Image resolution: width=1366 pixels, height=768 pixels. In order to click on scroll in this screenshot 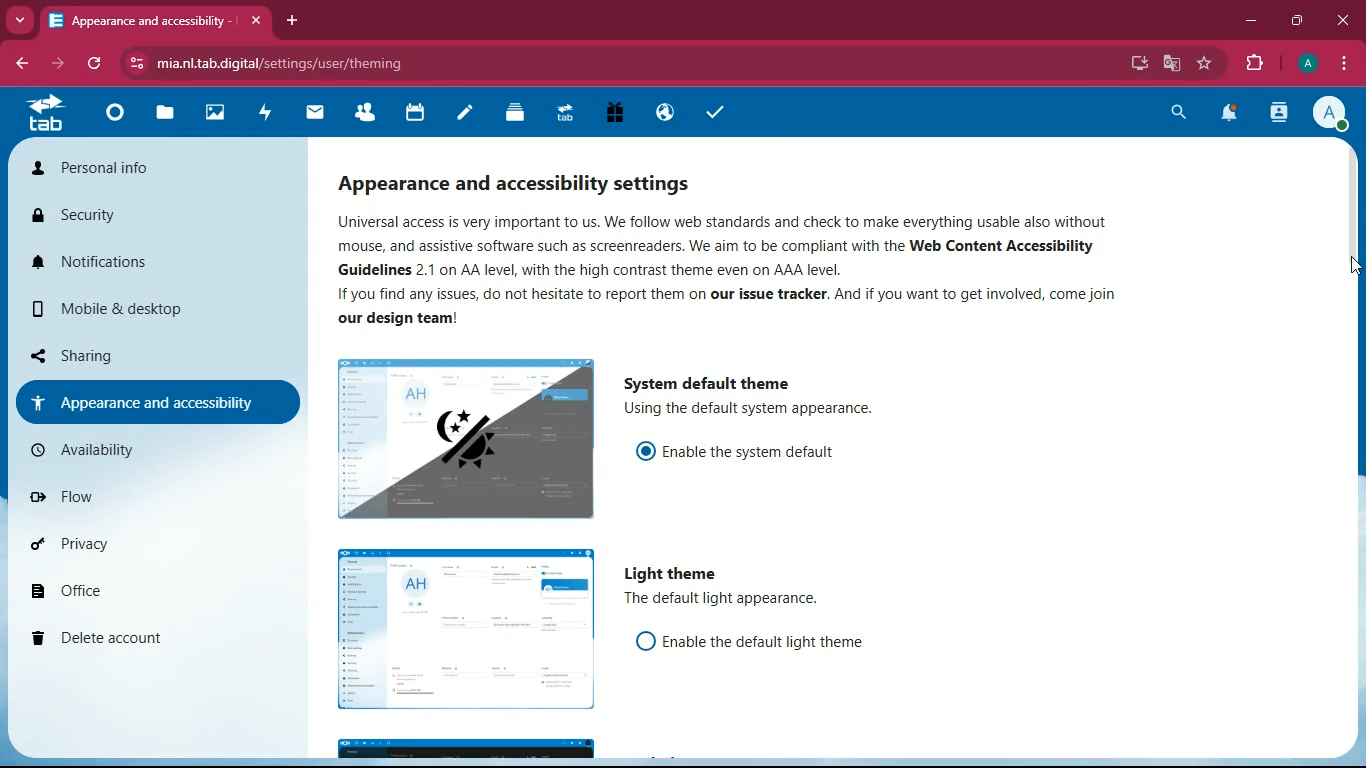, I will do `click(1351, 224)`.